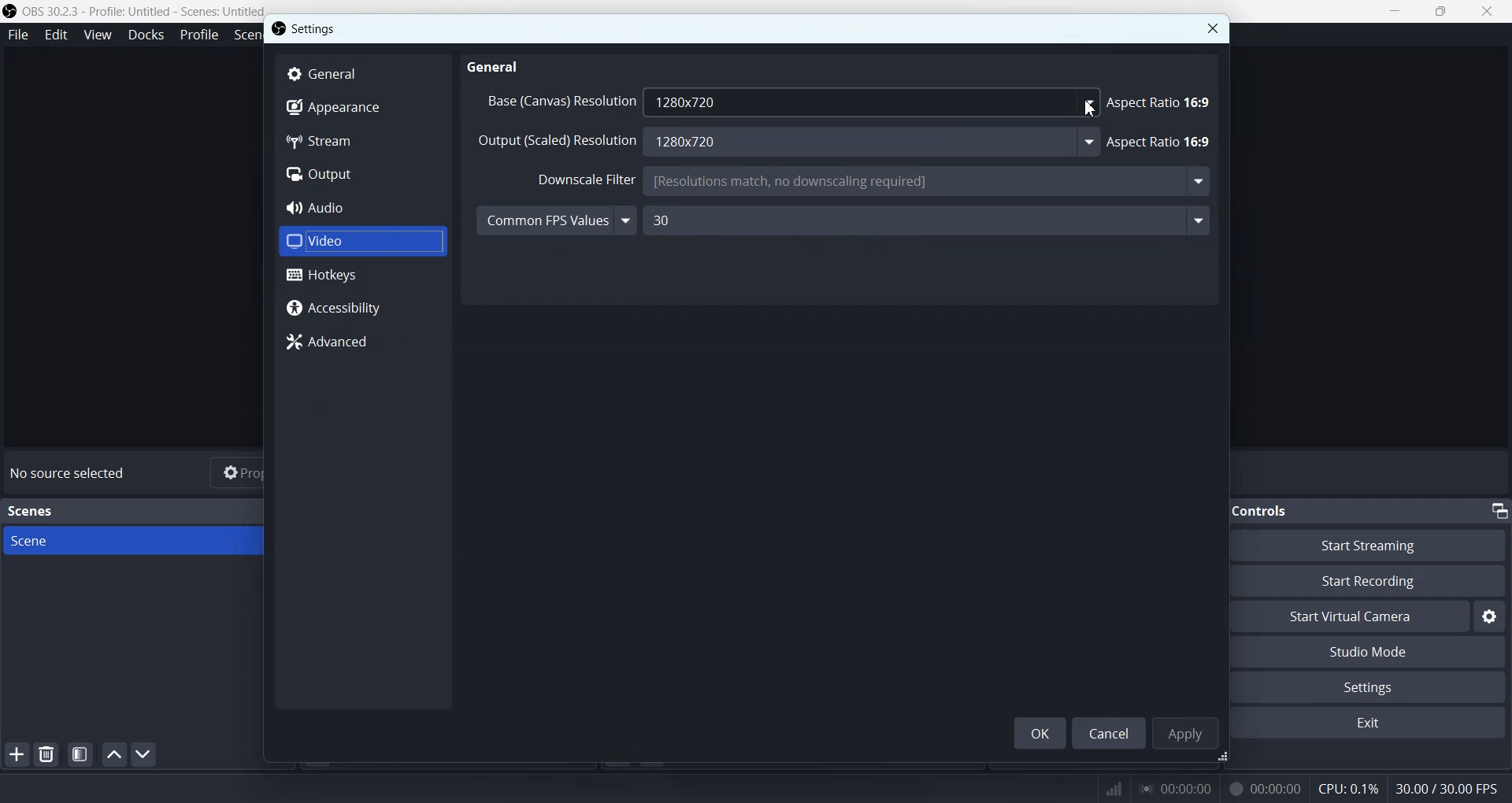 Image resolution: width=1512 pixels, height=803 pixels. I want to click on Profile, so click(199, 35).